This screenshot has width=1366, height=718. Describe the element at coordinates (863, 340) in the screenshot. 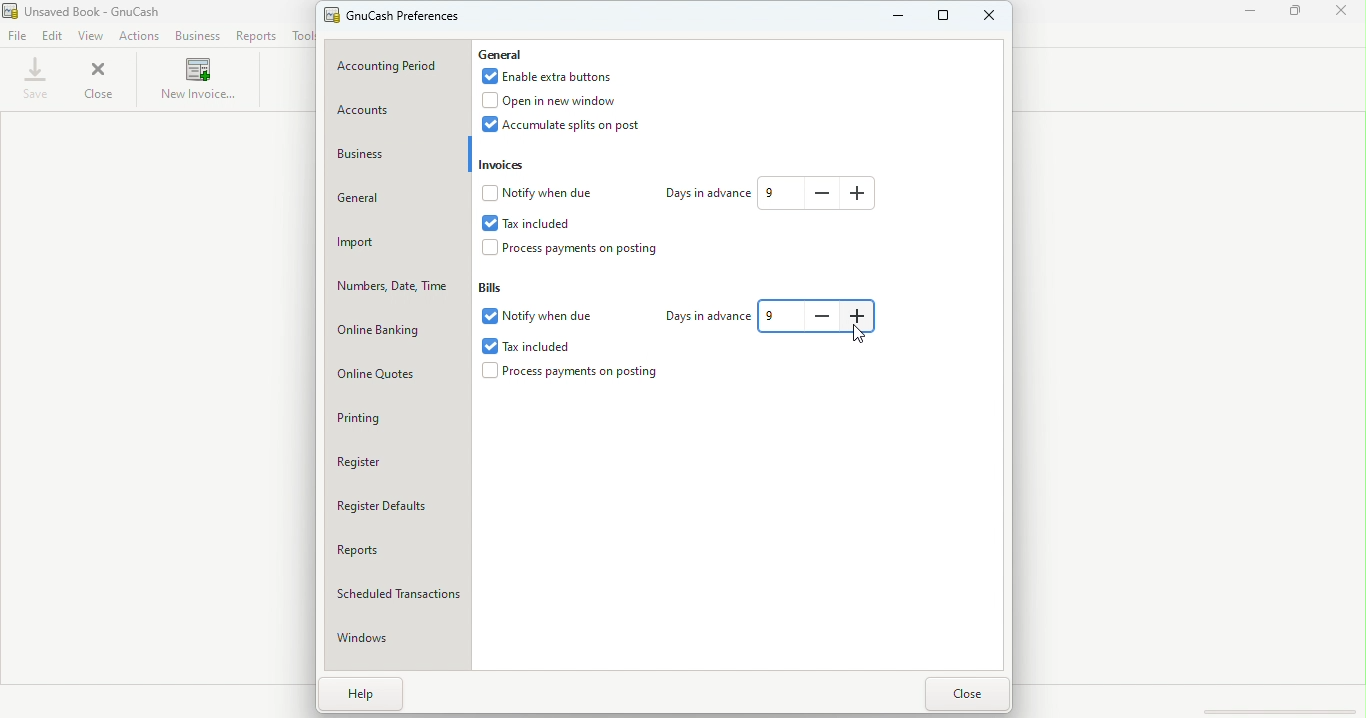

I see `cursor` at that location.